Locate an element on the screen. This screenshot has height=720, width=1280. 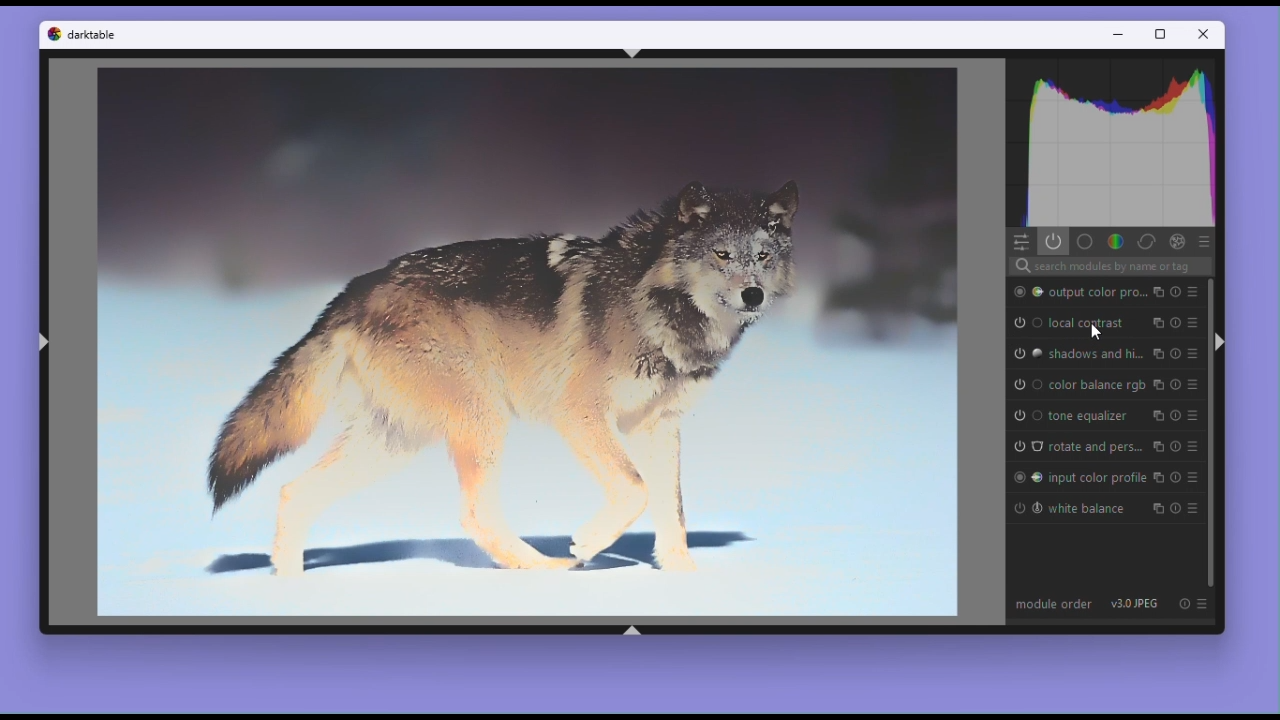
Image is located at coordinates (529, 340).